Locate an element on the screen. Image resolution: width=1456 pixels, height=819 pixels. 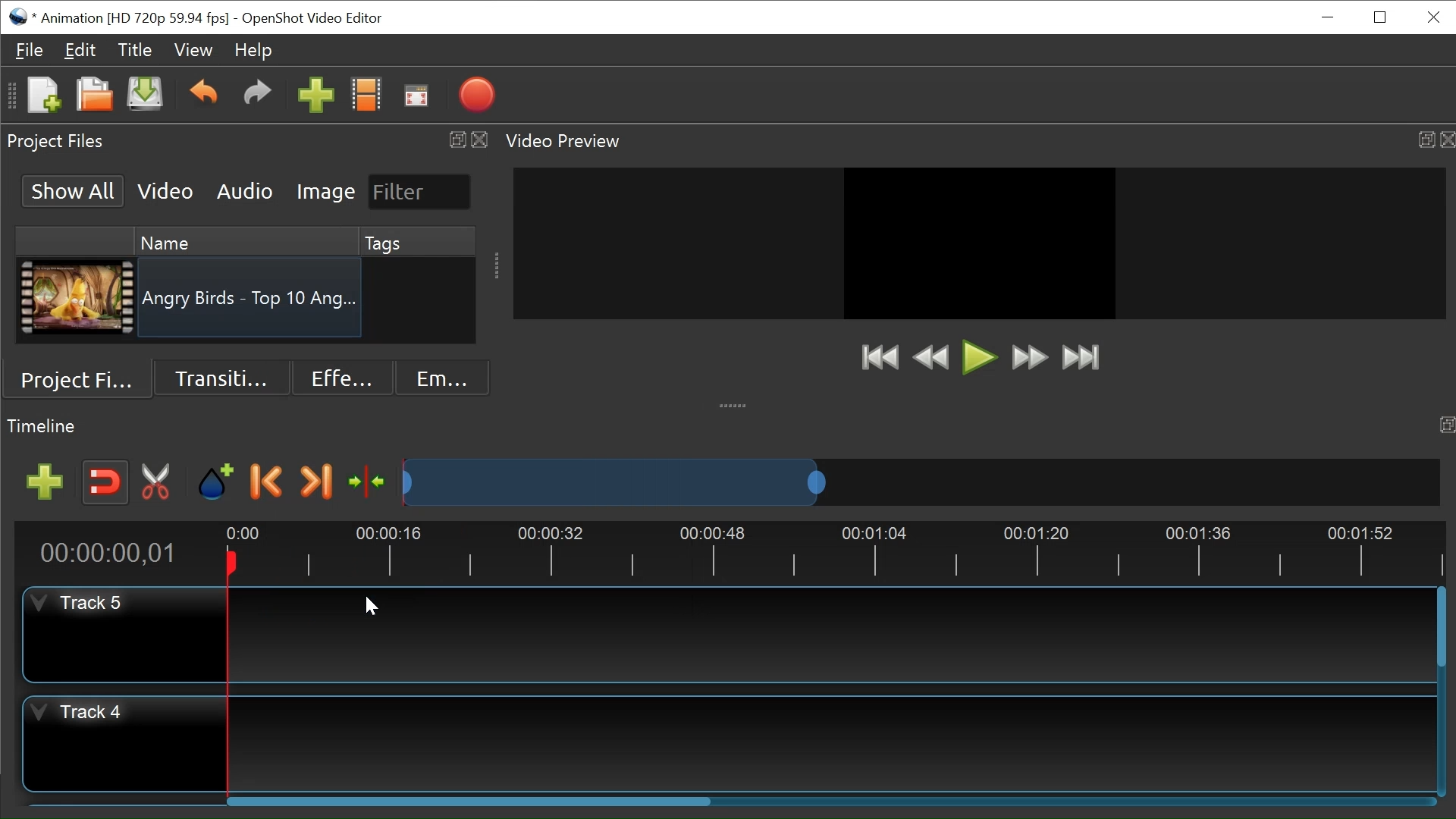
Undo is located at coordinates (203, 96).